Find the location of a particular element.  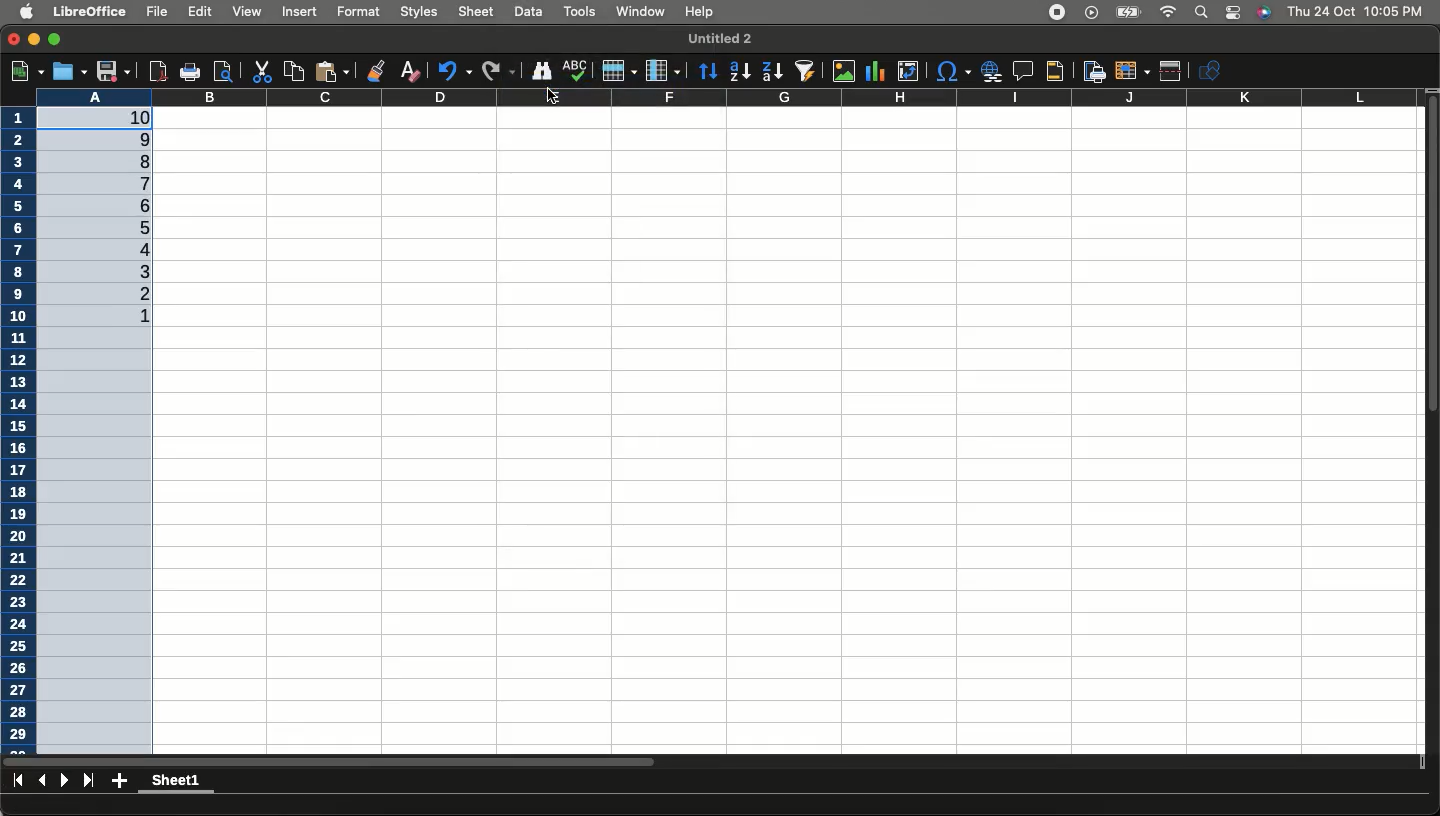

File is located at coordinates (155, 11).